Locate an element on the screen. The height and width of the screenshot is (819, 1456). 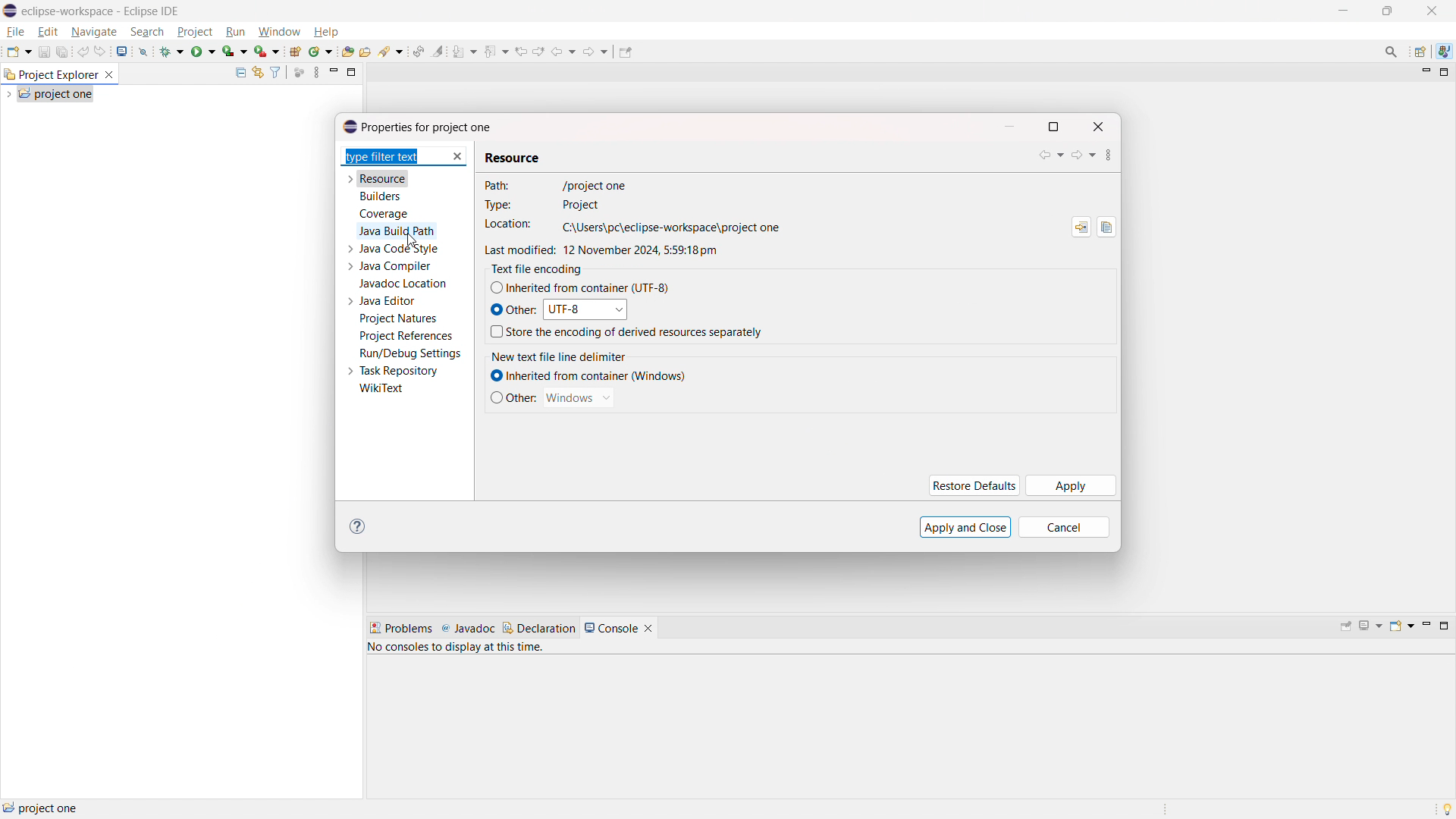
no consoles to display at this time.  is located at coordinates (459, 650).